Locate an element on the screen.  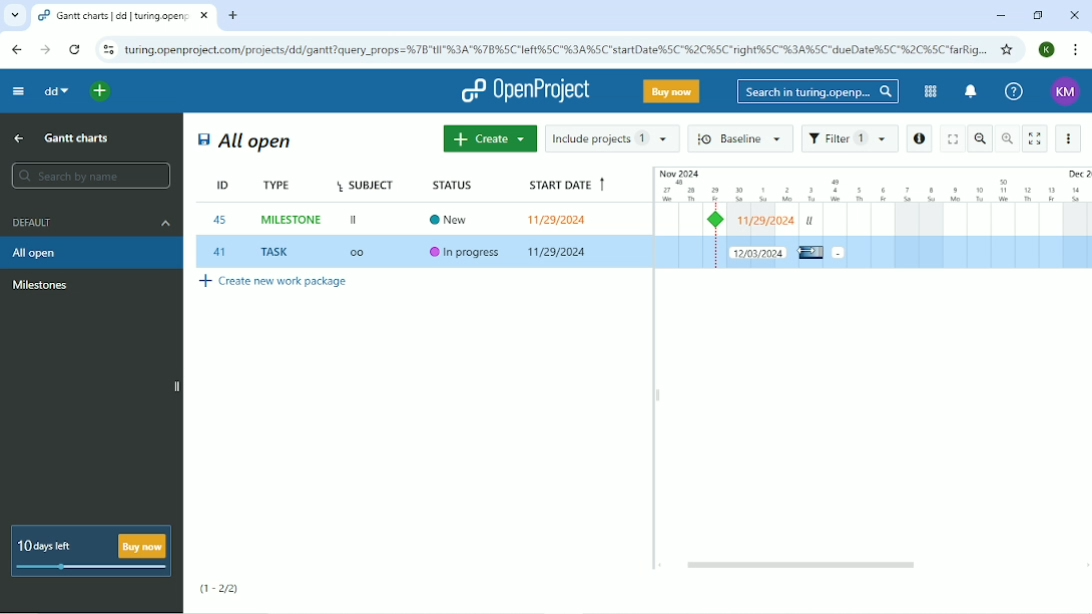
Gantt charts is located at coordinates (79, 137).